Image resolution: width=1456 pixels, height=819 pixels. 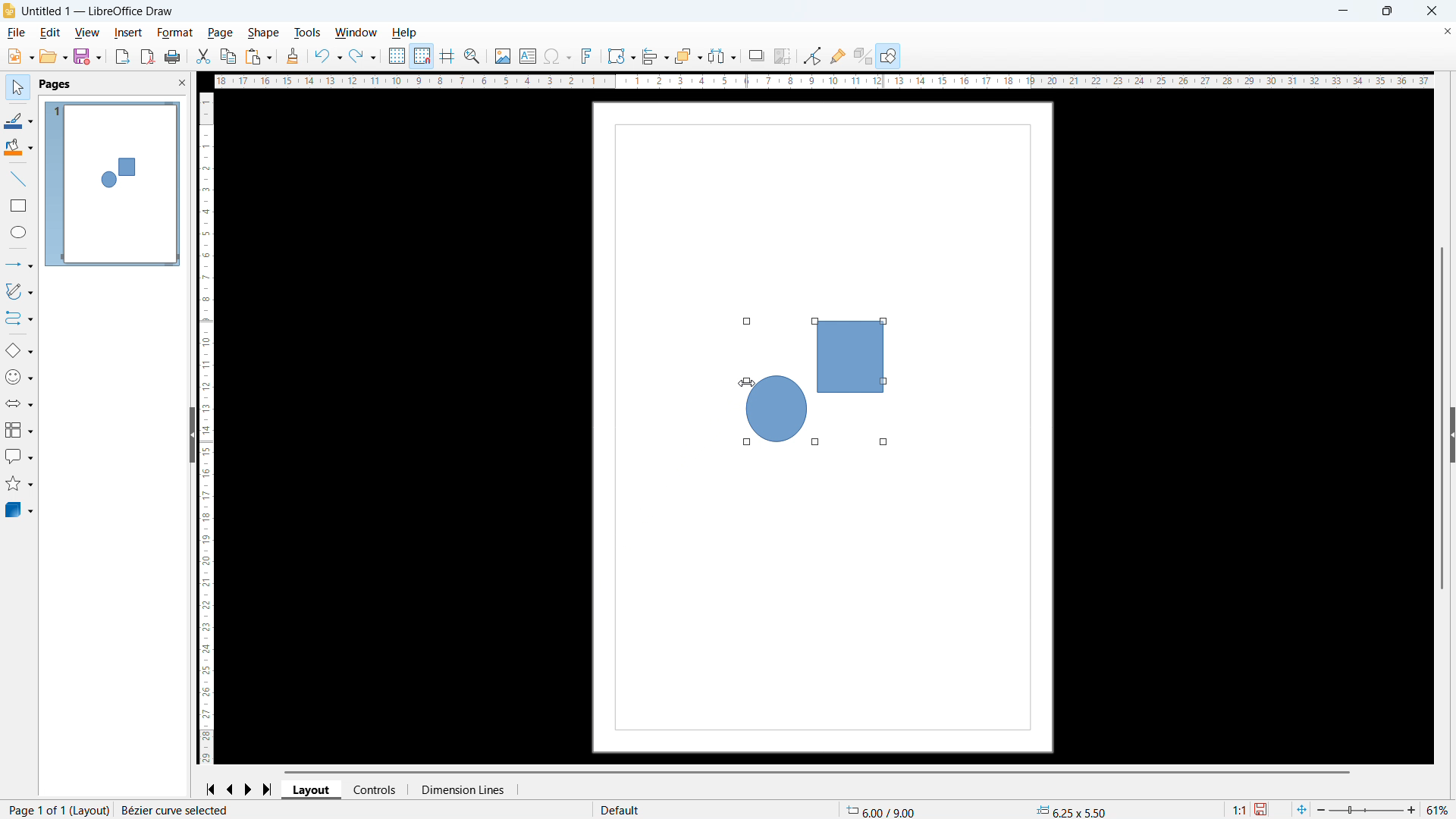 I want to click on Crop image , so click(x=782, y=56).